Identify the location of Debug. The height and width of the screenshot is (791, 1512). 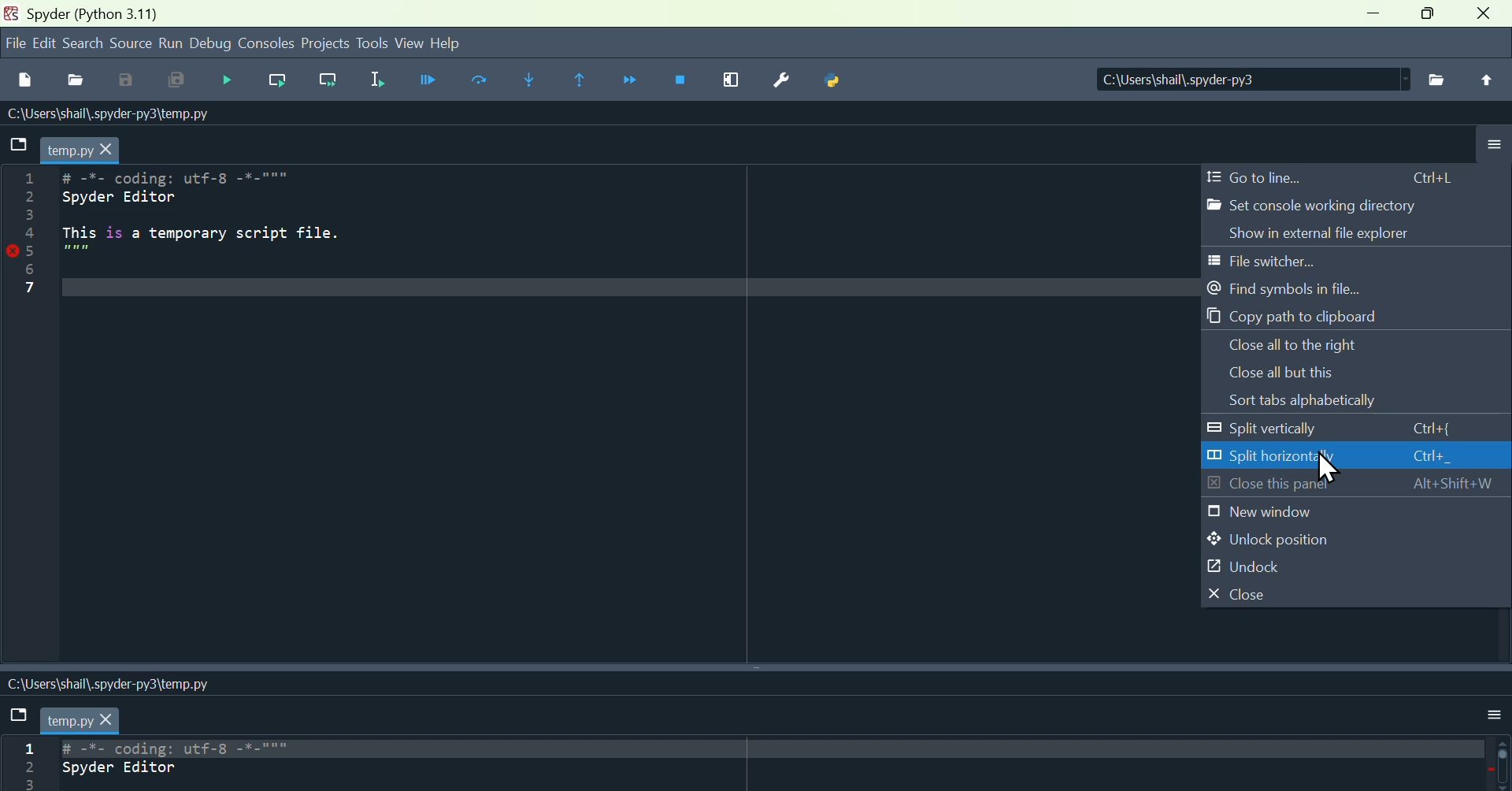
(215, 46).